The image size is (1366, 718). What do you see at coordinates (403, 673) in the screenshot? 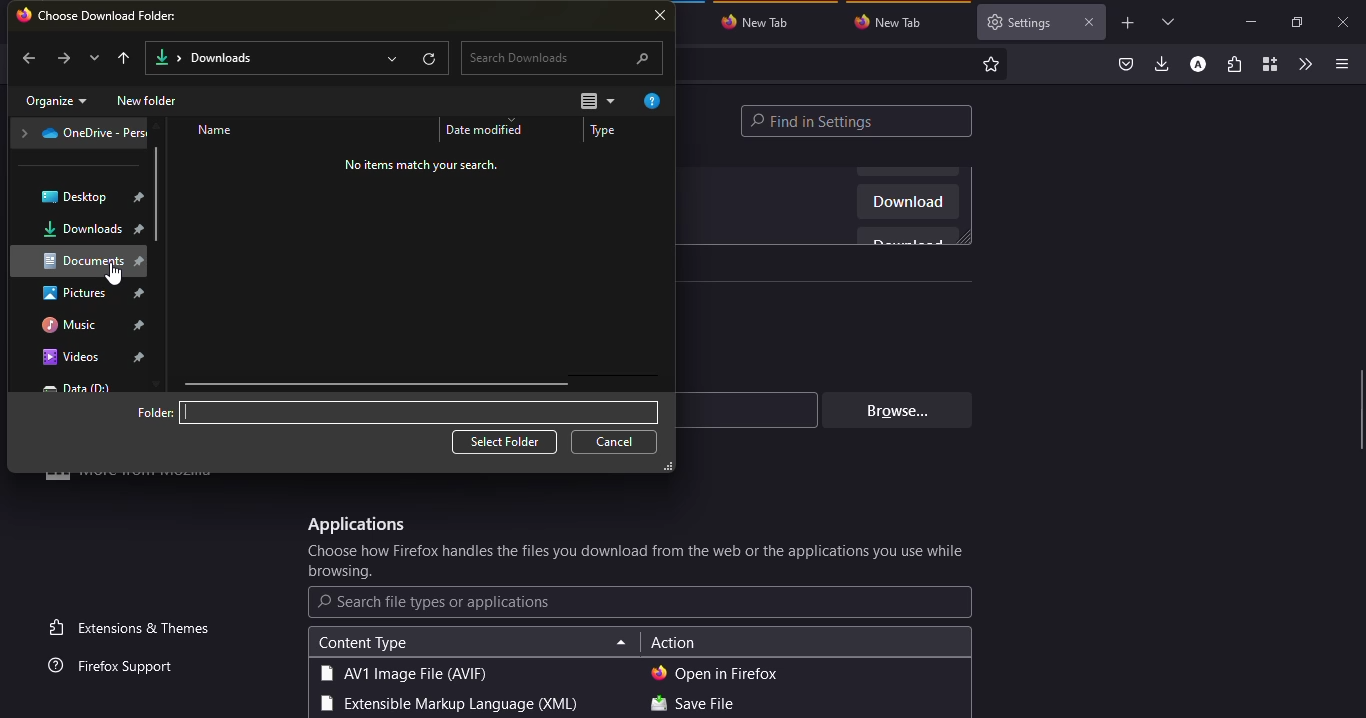
I see `type` at bounding box center [403, 673].